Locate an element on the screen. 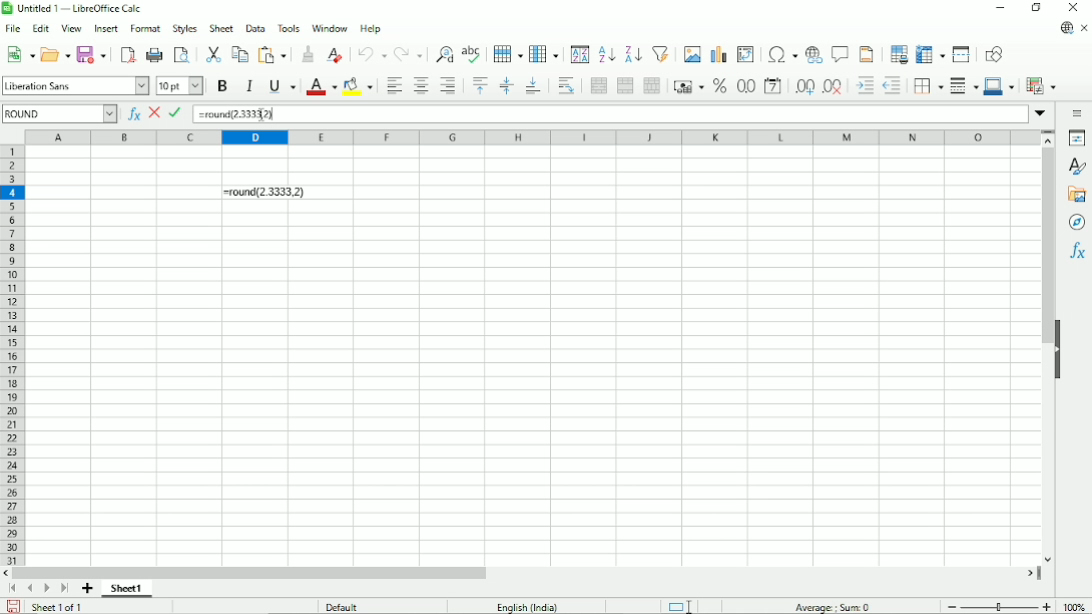 Image resolution: width=1092 pixels, height=614 pixels. Align left is located at coordinates (393, 86).